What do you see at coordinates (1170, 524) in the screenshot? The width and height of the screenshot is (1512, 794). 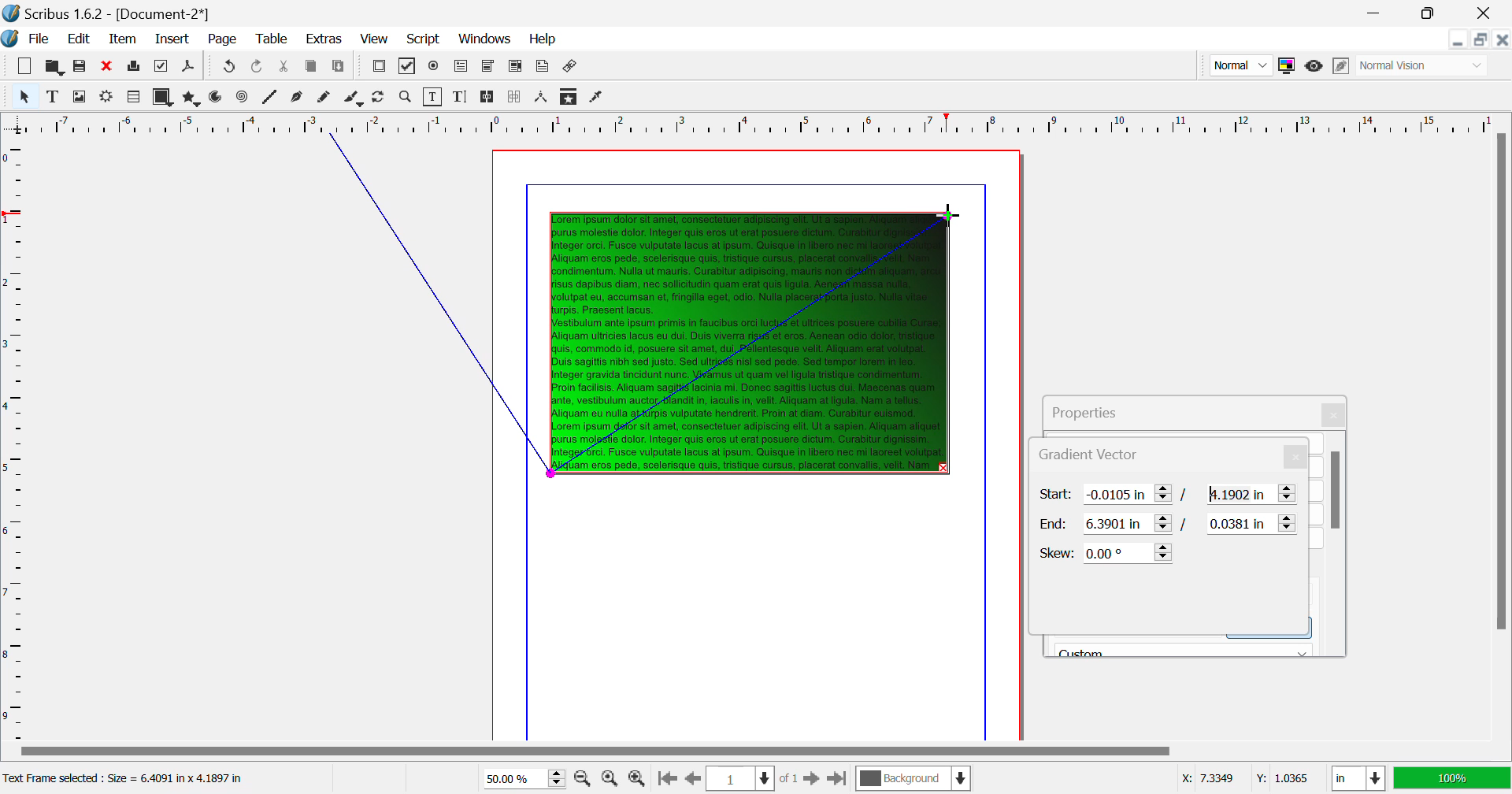 I see `Gradient Vector End` at bounding box center [1170, 524].